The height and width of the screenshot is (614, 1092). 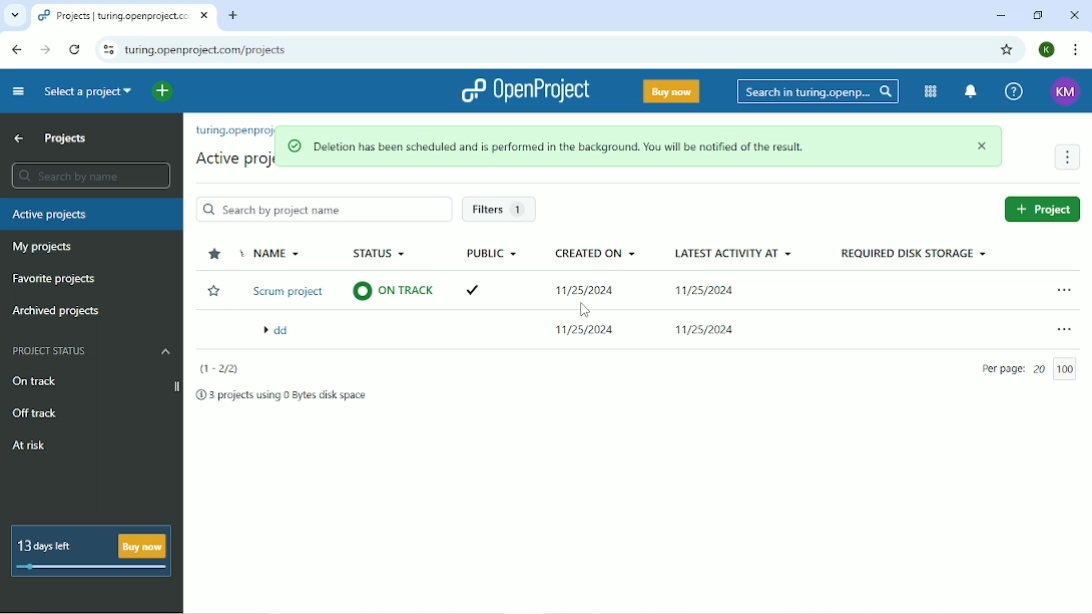 What do you see at coordinates (818, 91) in the screenshot?
I see `Search in turin.openprojects.com` at bounding box center [818, 91].